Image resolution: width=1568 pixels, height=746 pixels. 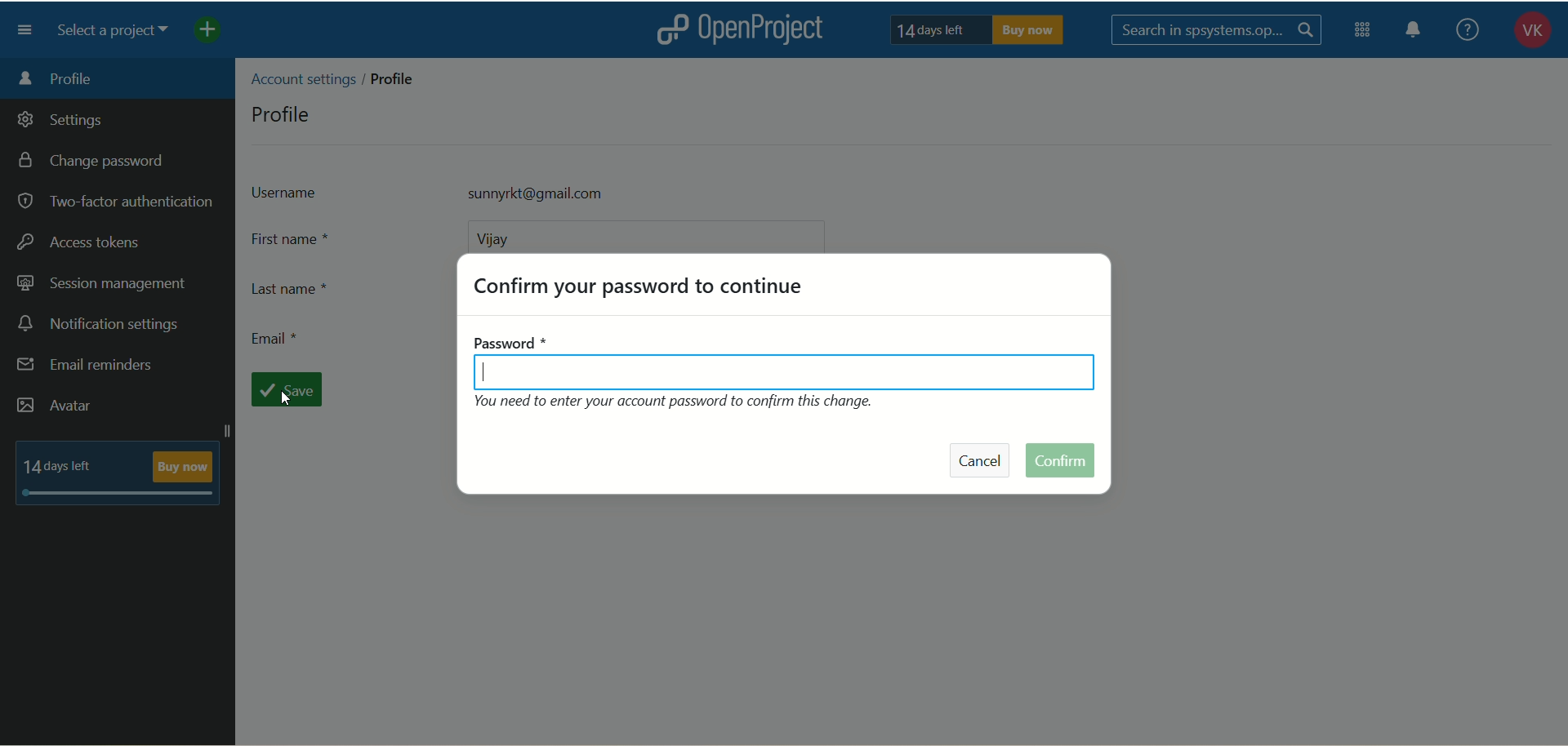 I want to click on search, so click(x=1218, y=30).